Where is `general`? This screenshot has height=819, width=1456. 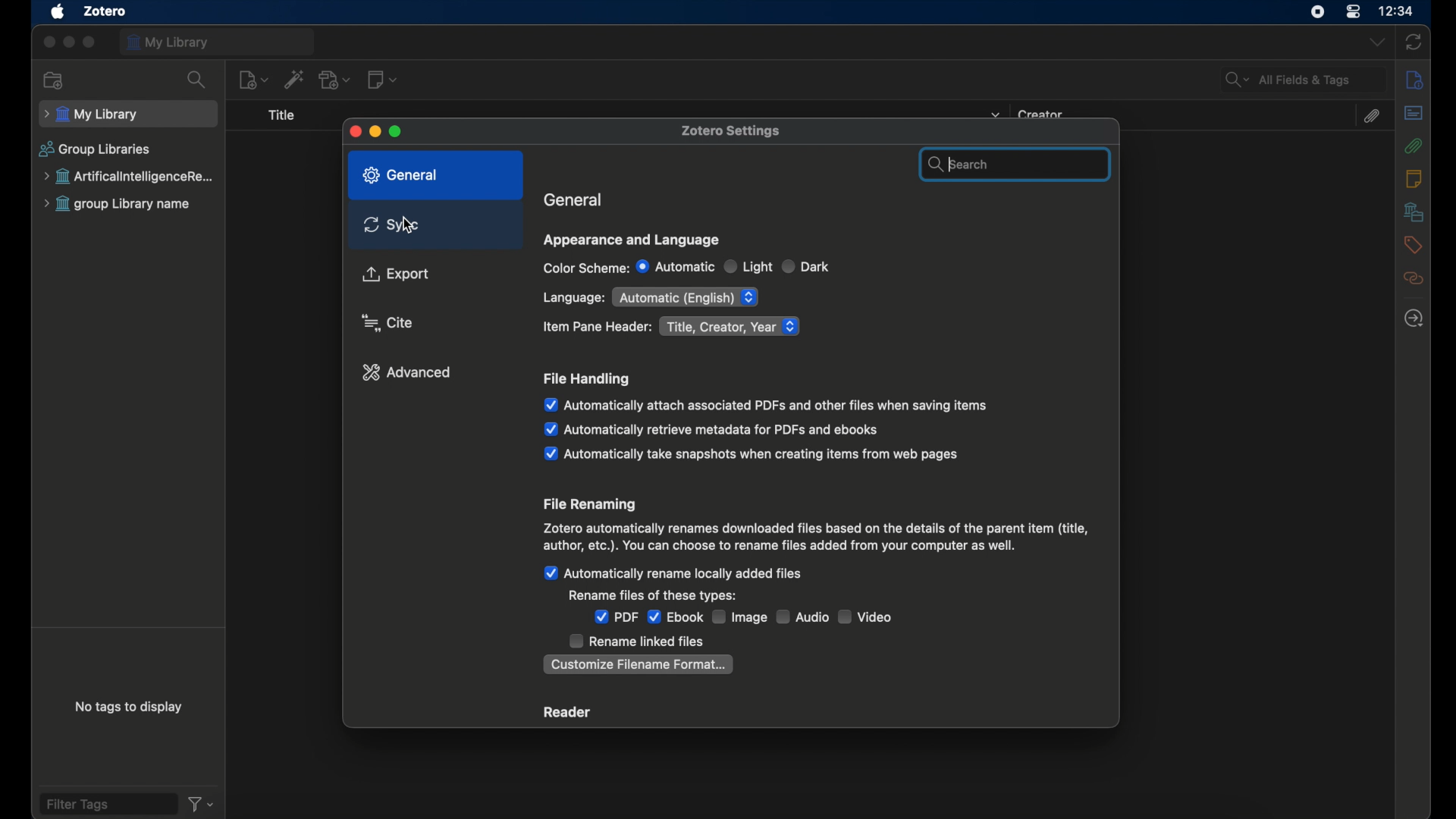
general is located at coordinates (576, 200).